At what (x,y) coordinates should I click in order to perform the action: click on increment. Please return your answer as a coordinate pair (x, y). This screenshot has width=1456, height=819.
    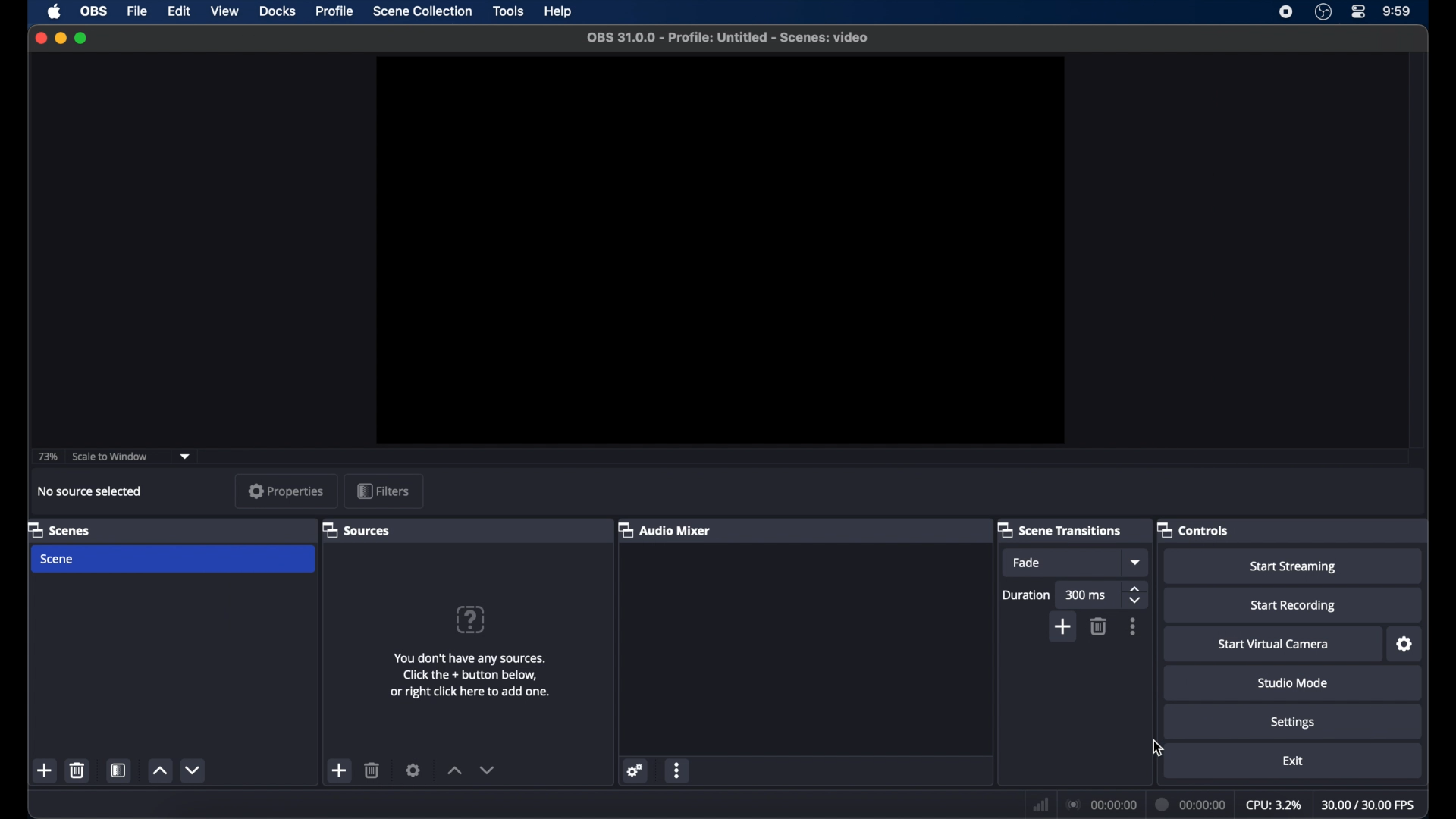
    Looking at the image, I should click on (160, 772).